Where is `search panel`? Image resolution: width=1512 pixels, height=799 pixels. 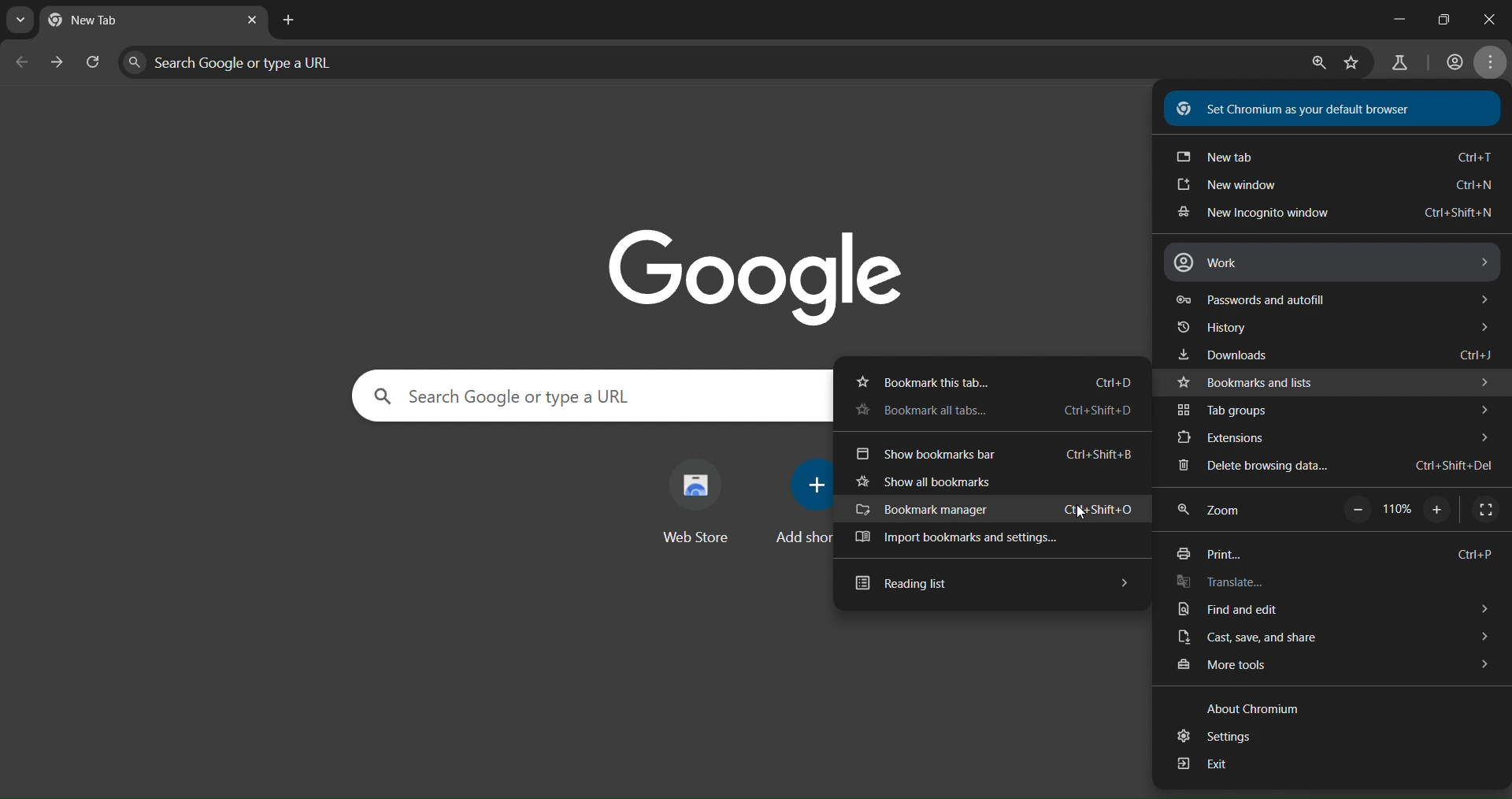 search panel is located at coordinates (265, 62).